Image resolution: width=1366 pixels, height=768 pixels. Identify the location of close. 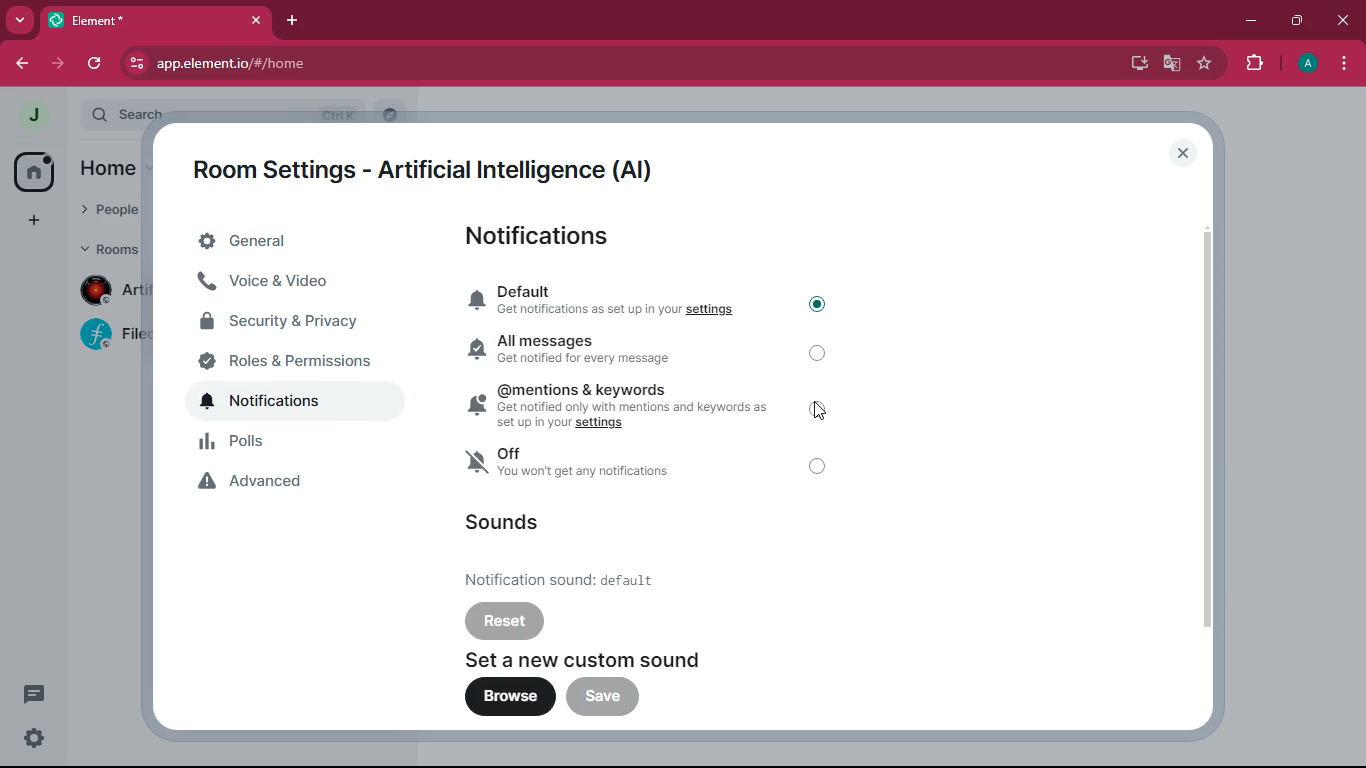
(1343, 21).